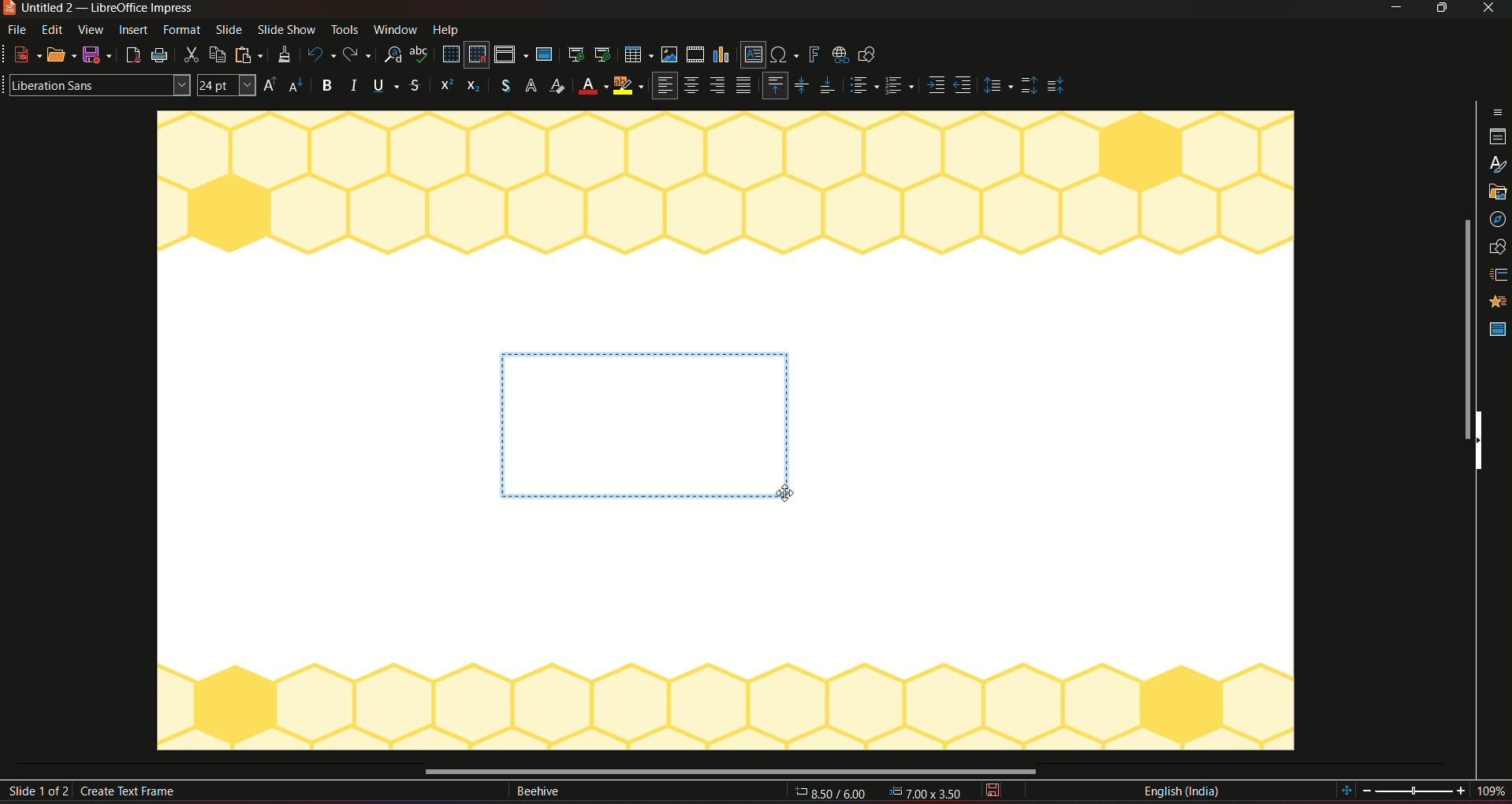 The image size is (1512, 804). I want to click on paragraph, so click(745, 87).